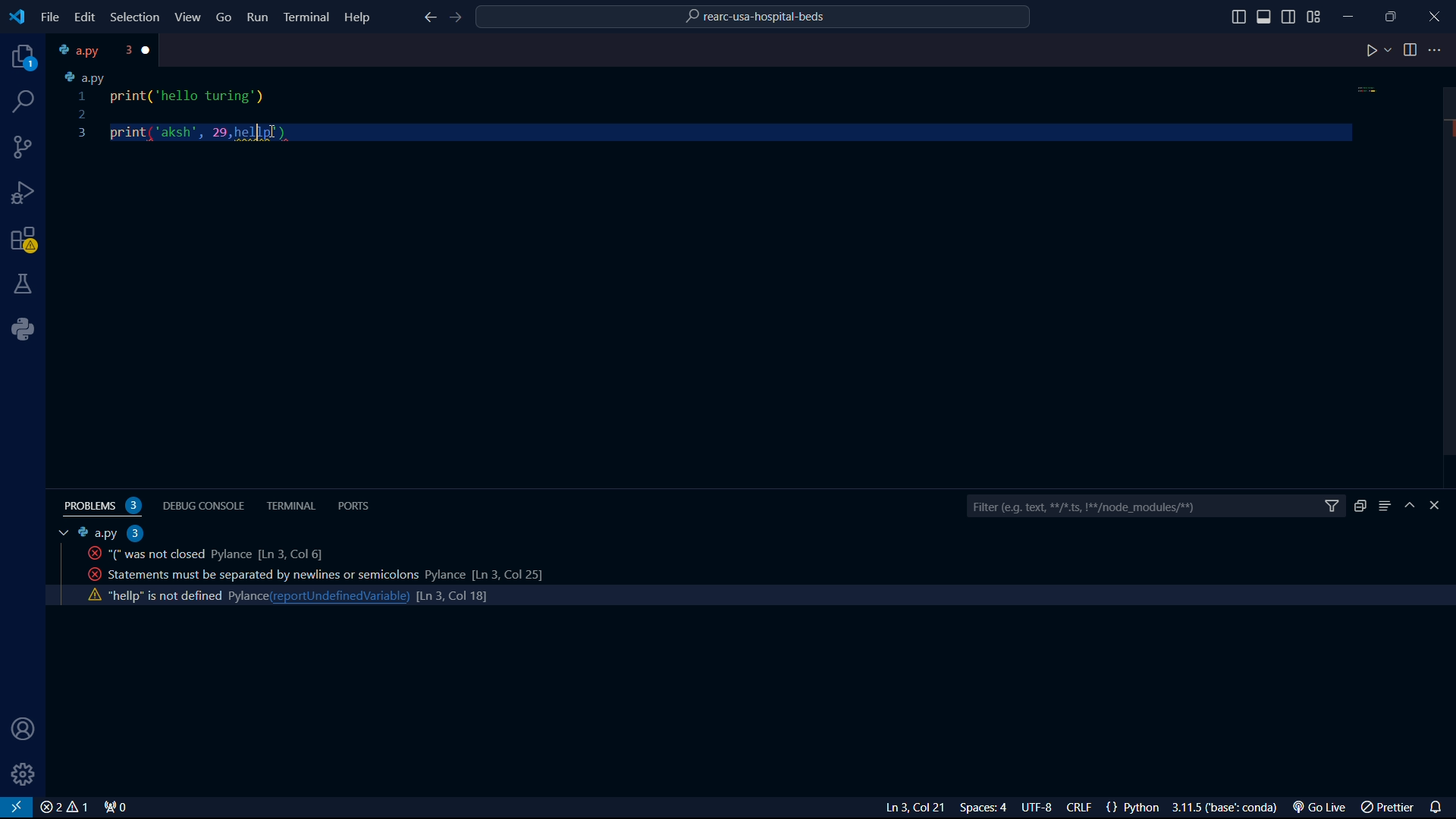  I want to click on filter bar, so click(1155, 507).